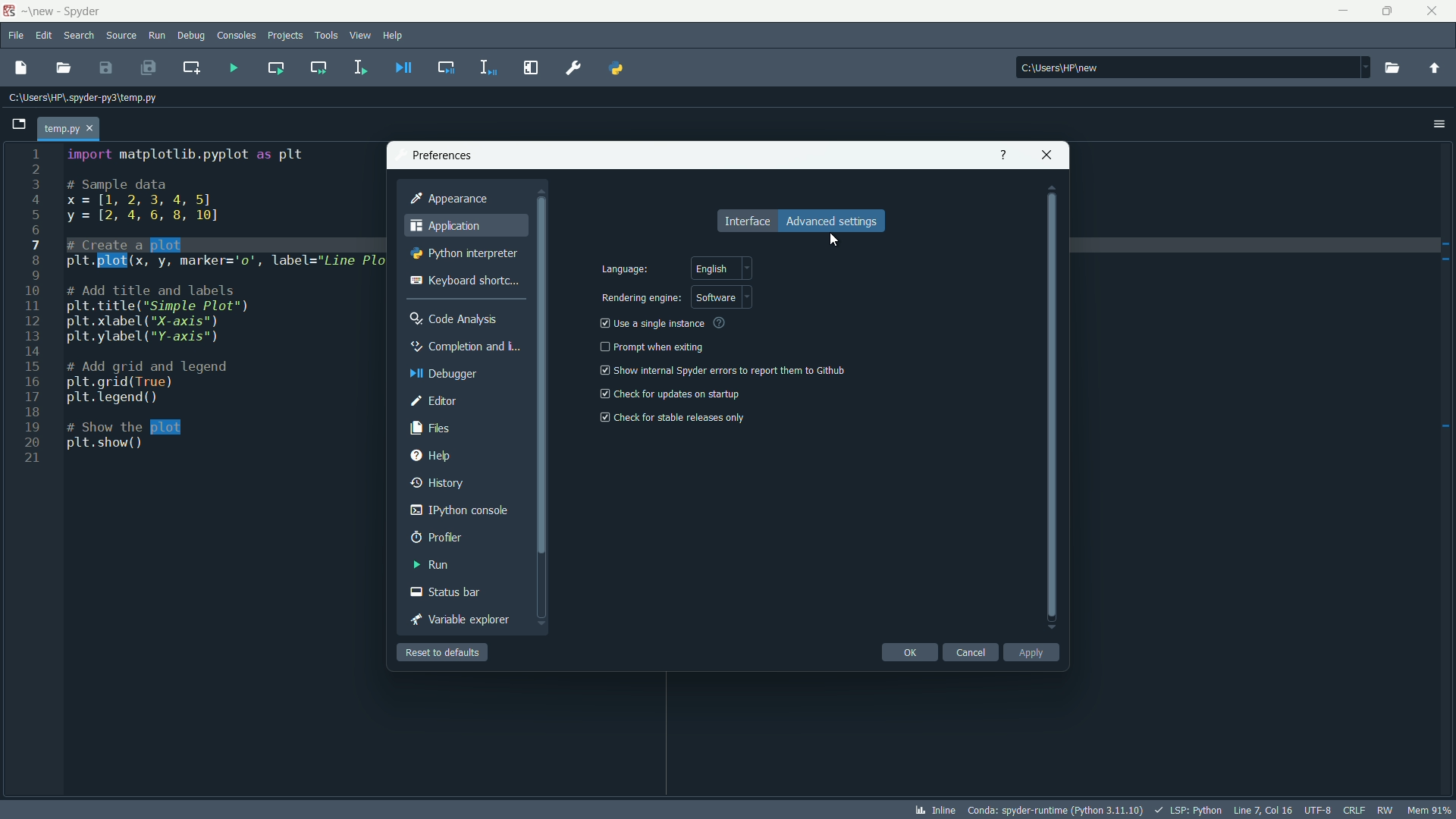 This screenshot has height=819, width=1456. I want to click on parent directory, so click(1434, 68).